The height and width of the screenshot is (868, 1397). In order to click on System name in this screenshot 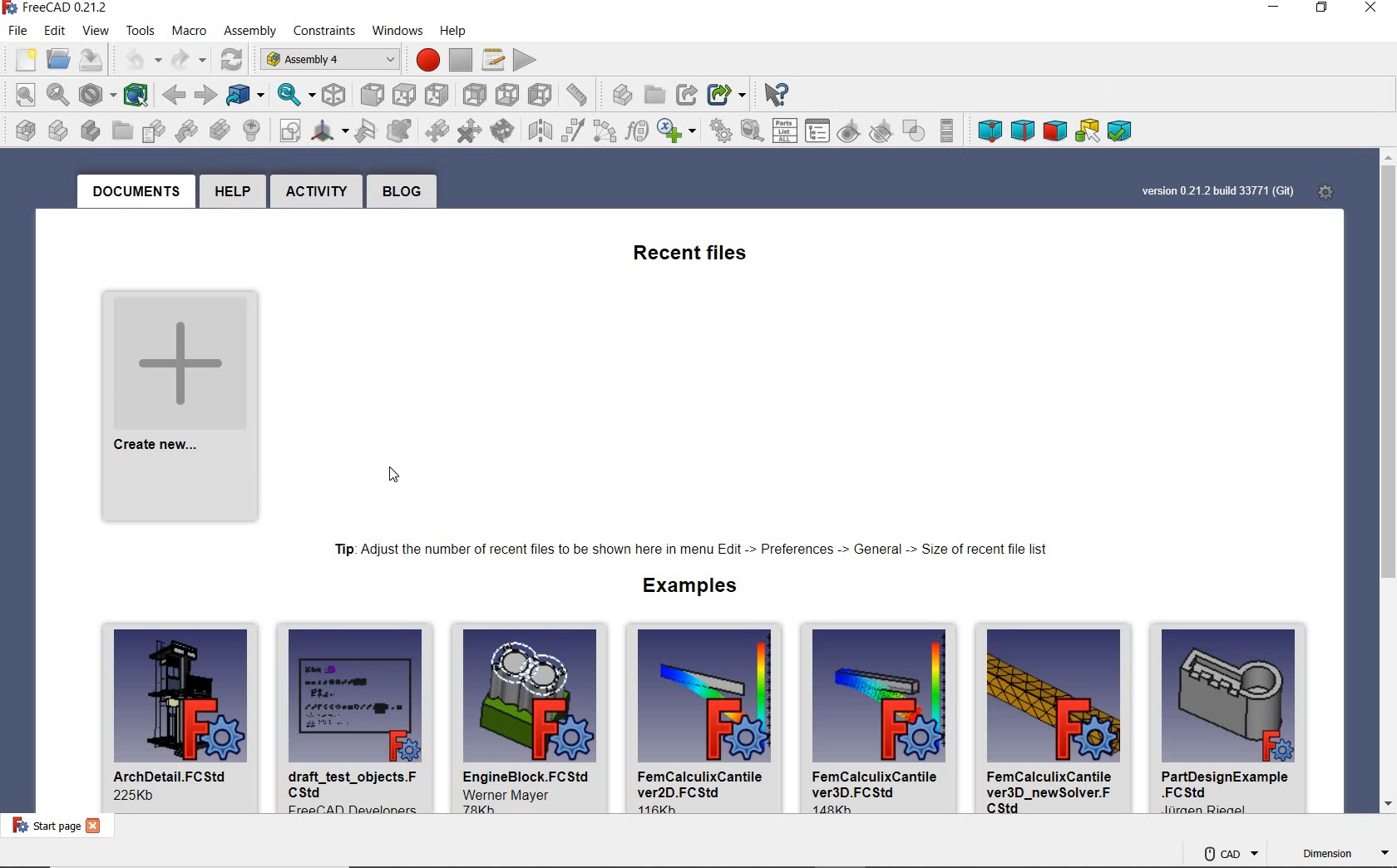, I will do `click(56, 10)`.